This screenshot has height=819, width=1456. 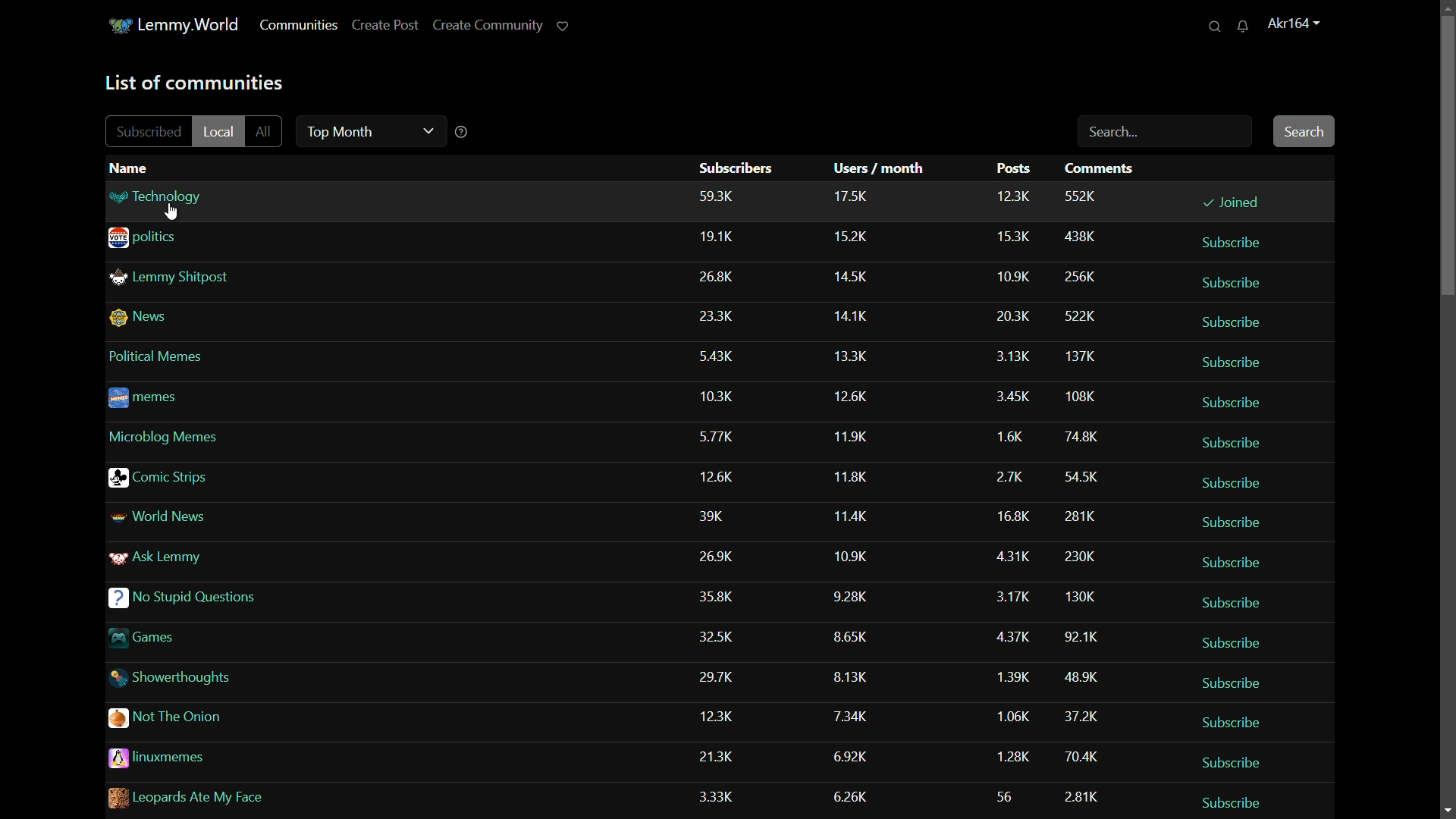 What do you see at coordinates (220, 130) in the screenshot?
I see `local` at bounding box center [220, 130].